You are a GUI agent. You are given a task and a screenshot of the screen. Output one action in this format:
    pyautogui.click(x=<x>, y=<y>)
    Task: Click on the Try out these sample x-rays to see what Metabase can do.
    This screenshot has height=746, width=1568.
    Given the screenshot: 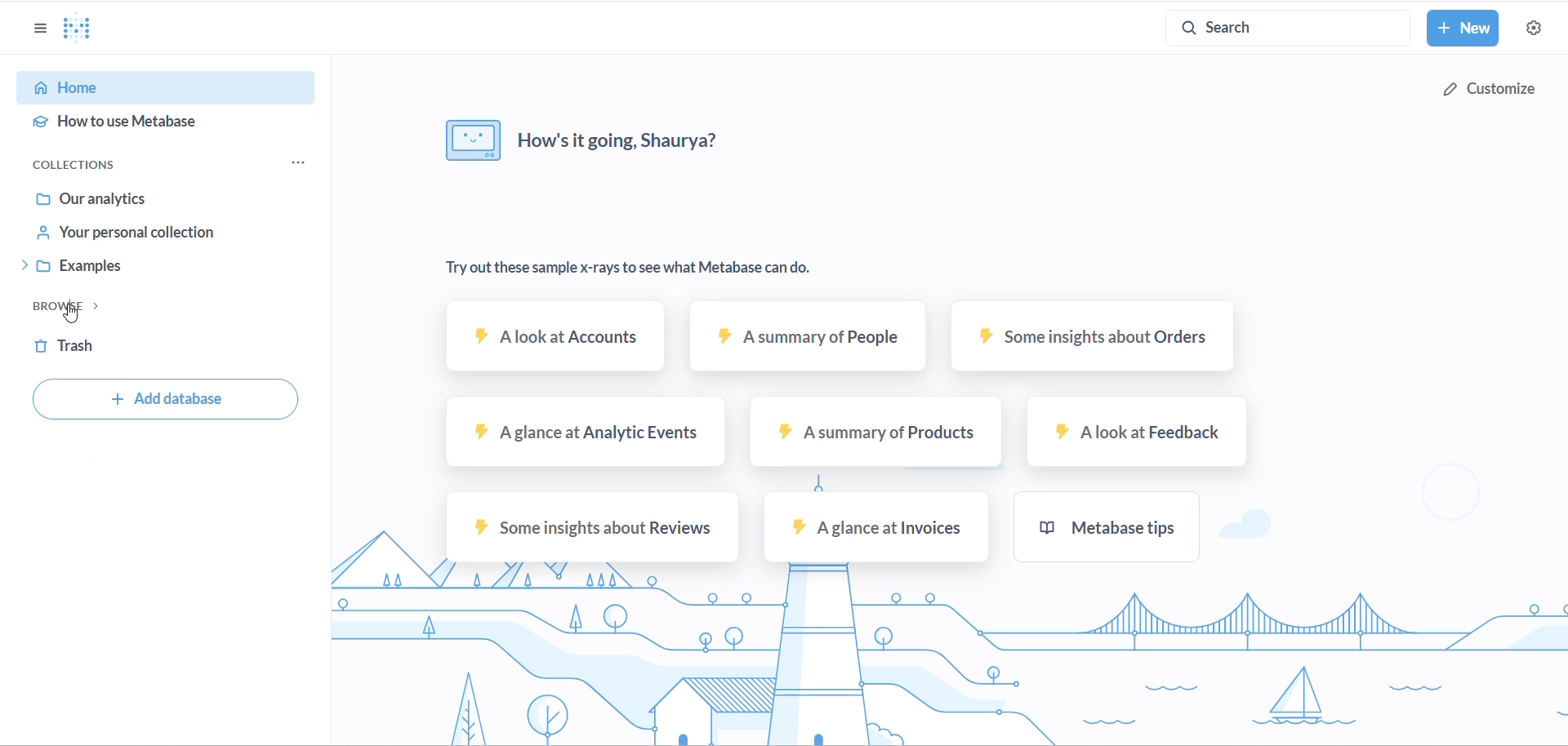 What is the action you would take?
    pyautogui.click(x=629, y=269)
    